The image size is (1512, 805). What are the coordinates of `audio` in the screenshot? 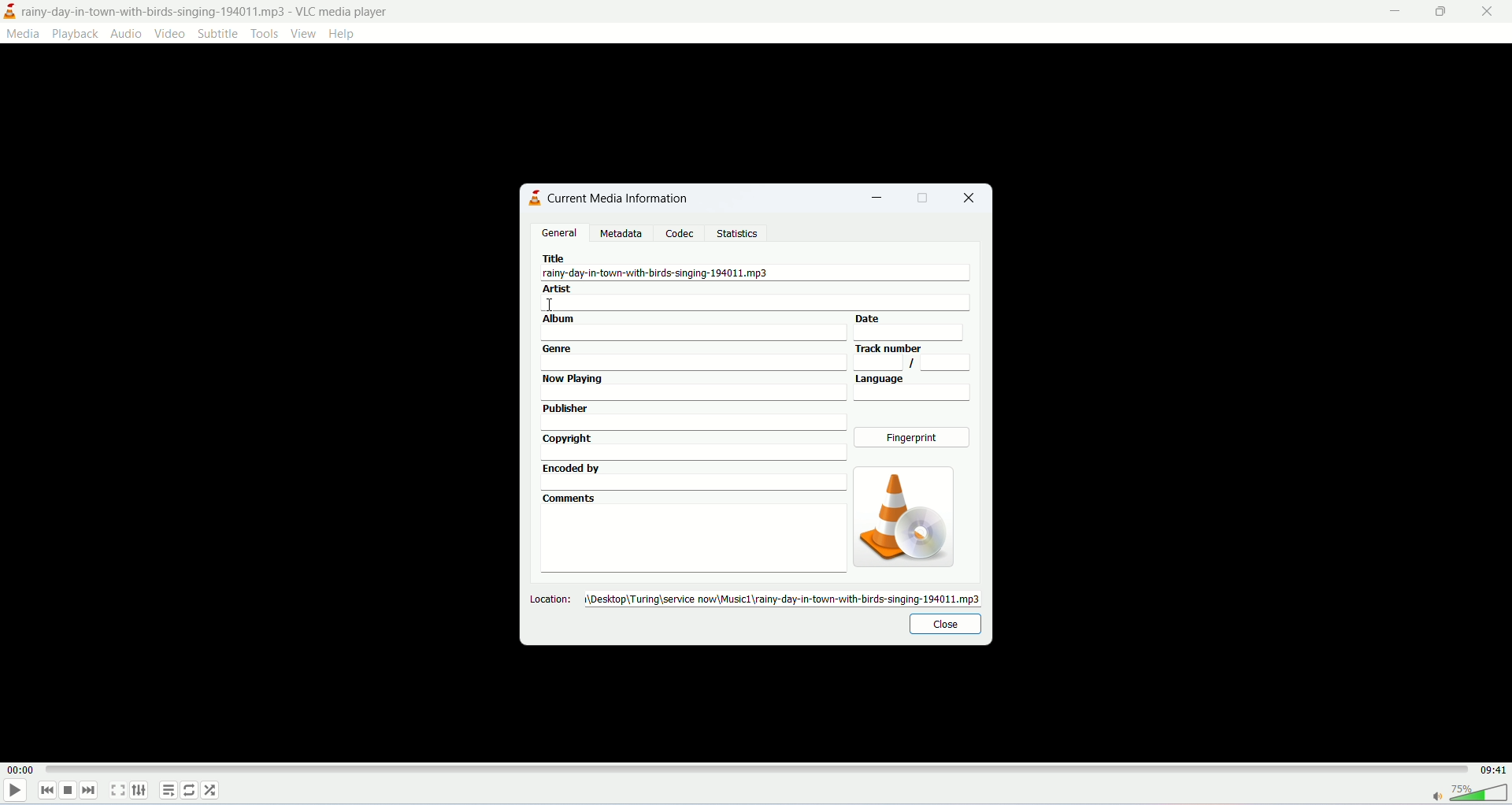 It's located at (128, 33).